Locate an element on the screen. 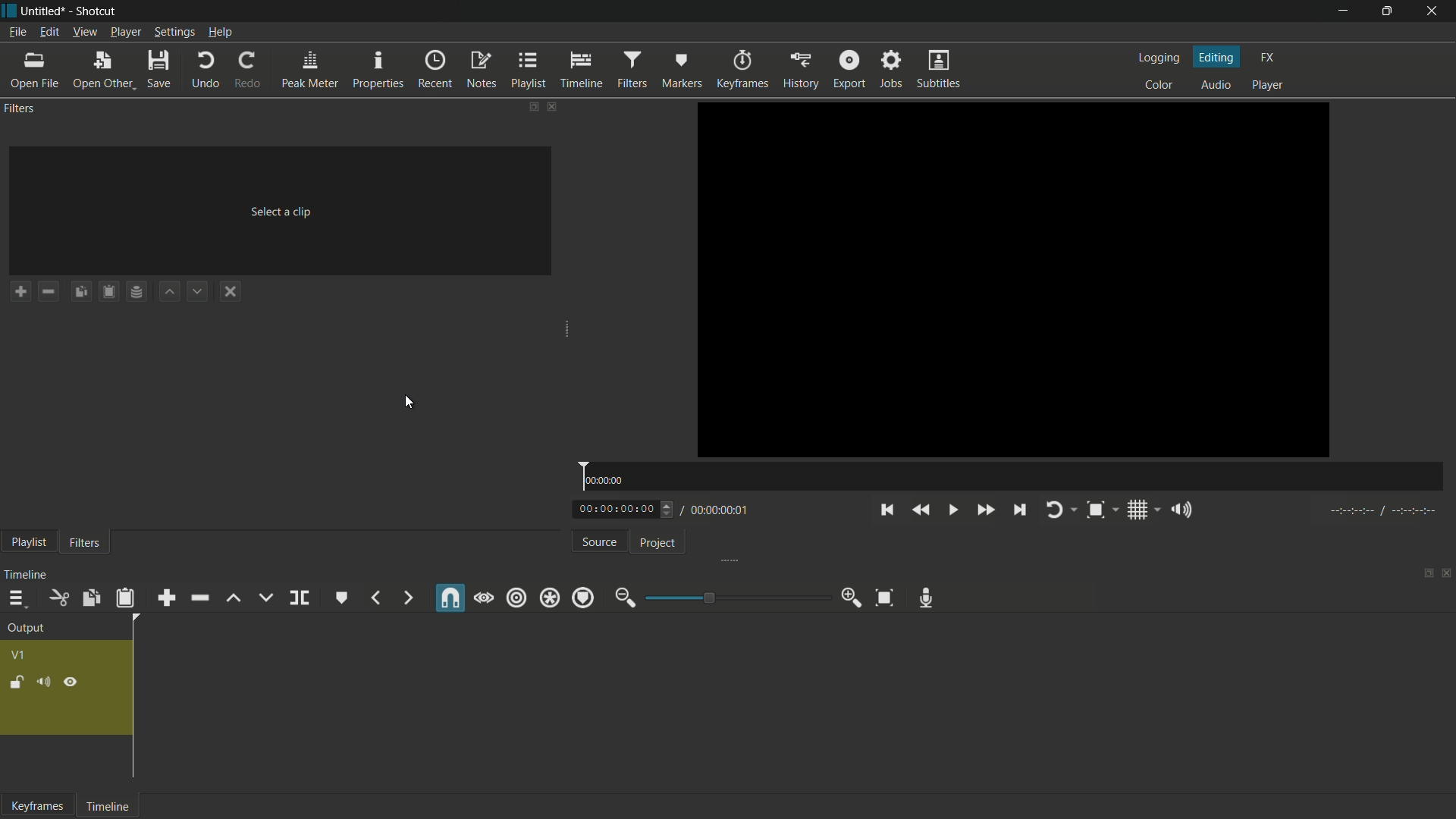 Image resolution: width=1456 pixels, height=819 pixels. add a filter is located at coordinates (20, 291).